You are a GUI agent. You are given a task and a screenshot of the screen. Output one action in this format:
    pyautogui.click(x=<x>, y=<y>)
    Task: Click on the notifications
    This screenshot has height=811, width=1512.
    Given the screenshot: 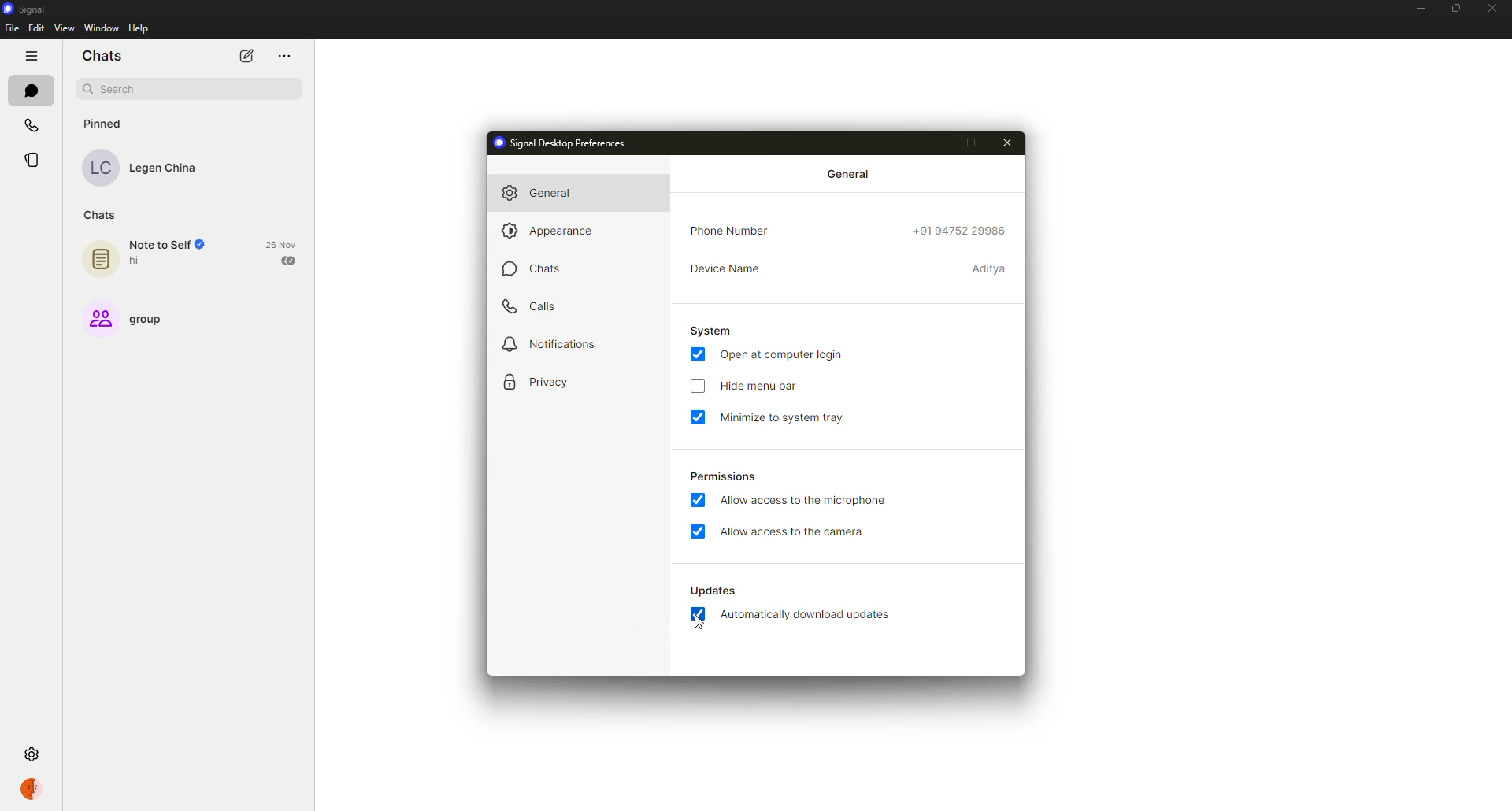 What is the action you would take?
    pyautogui.click(x=550, y=345)
    